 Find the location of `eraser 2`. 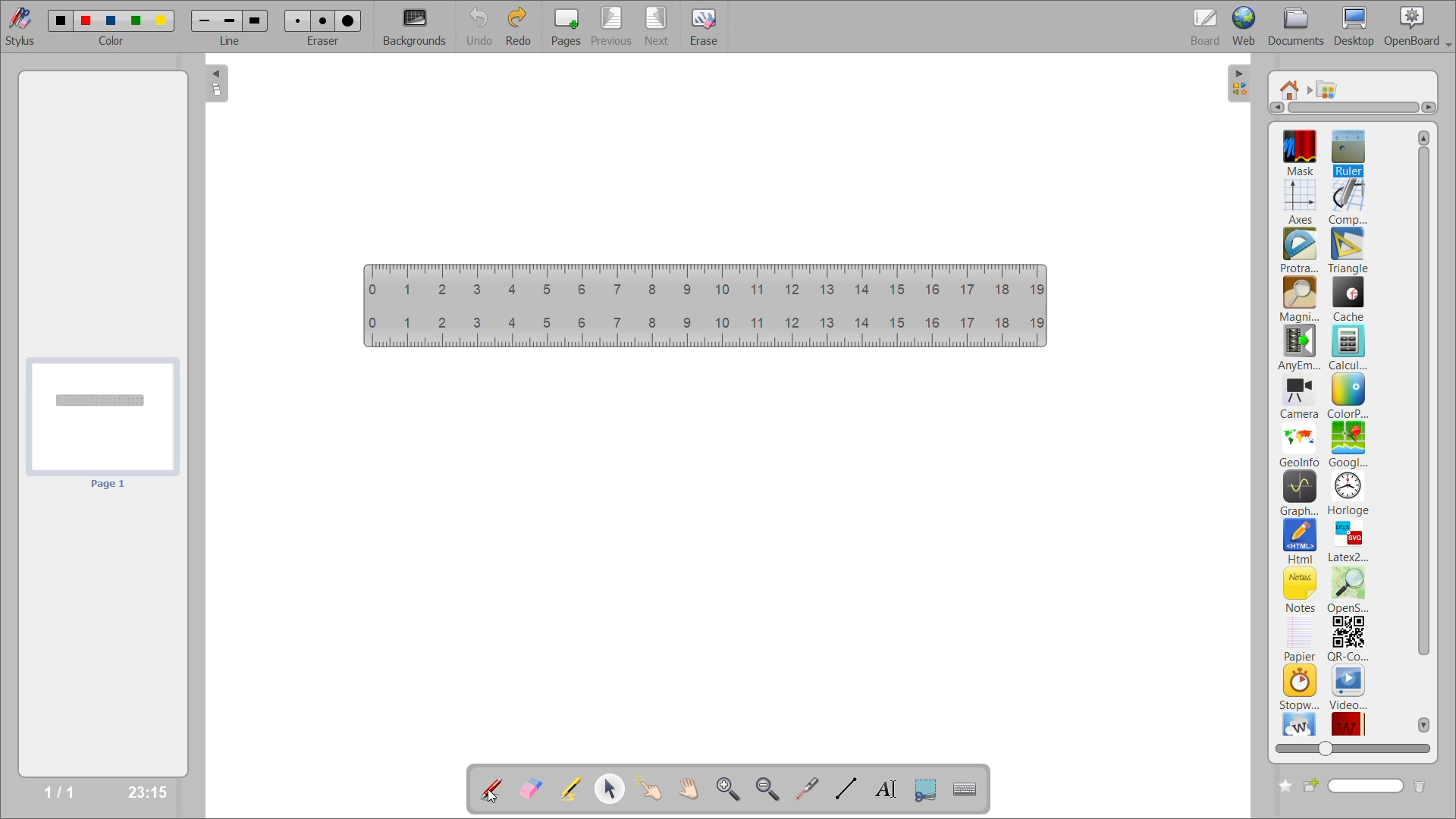

eraser 2 is located at coordinates (323, 20).